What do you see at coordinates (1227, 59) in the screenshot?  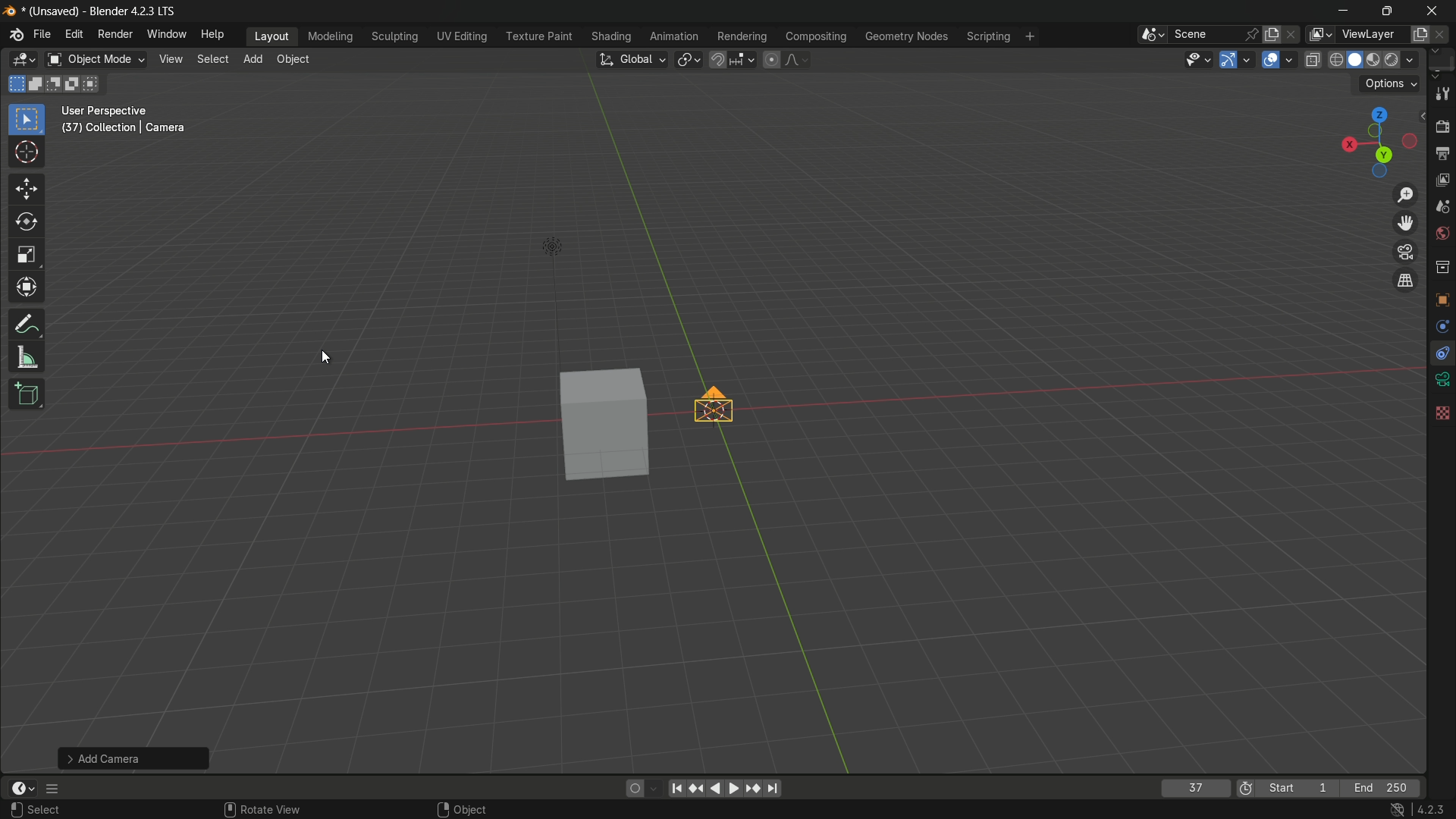 I see `show gizmo` at bounding box center [1227, 59].